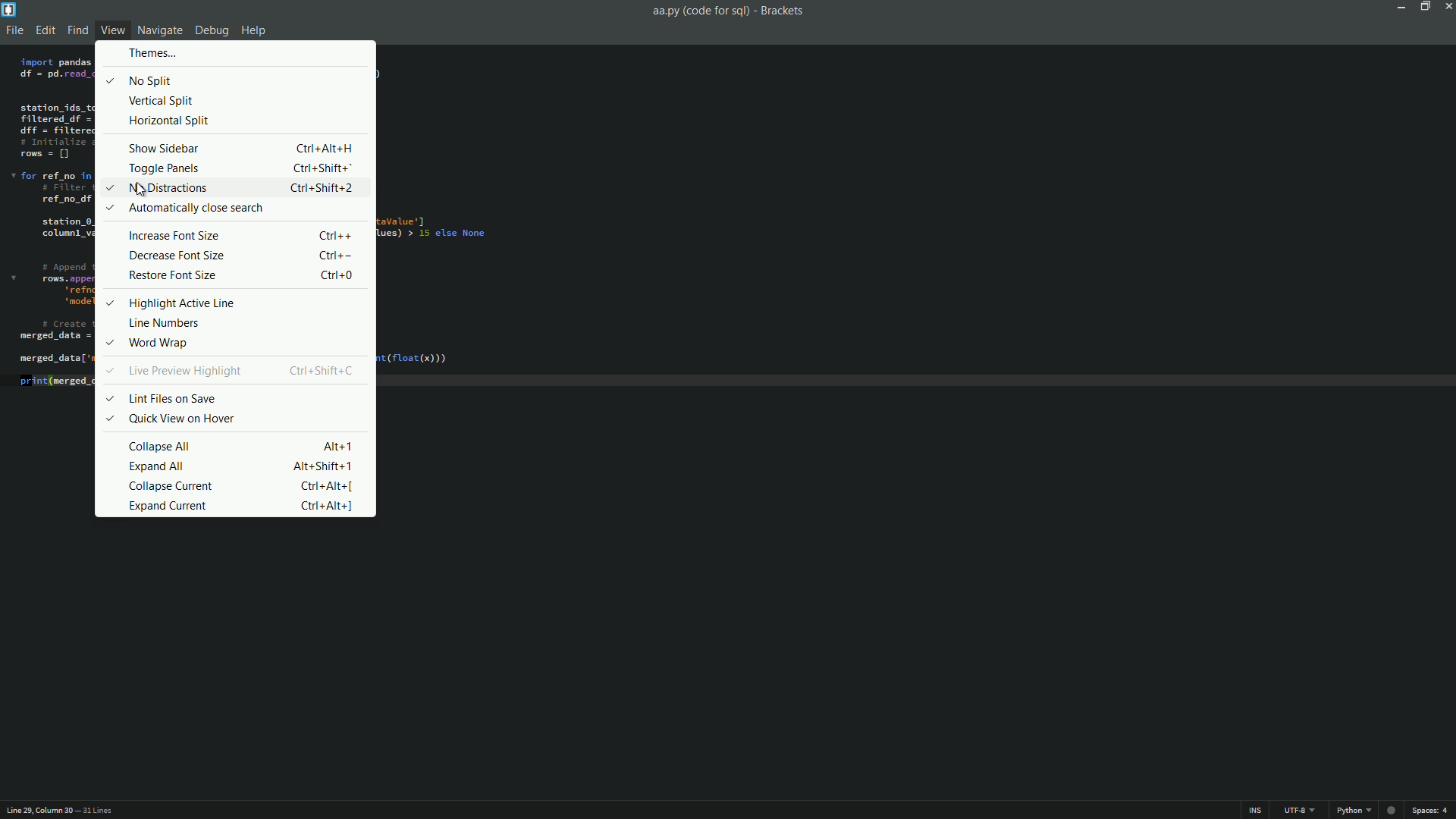 The height and width of the screenshot is (819, 1456). Describe the element at coordinates (10, 10) in the screenshot. I see `app icon` at that location.